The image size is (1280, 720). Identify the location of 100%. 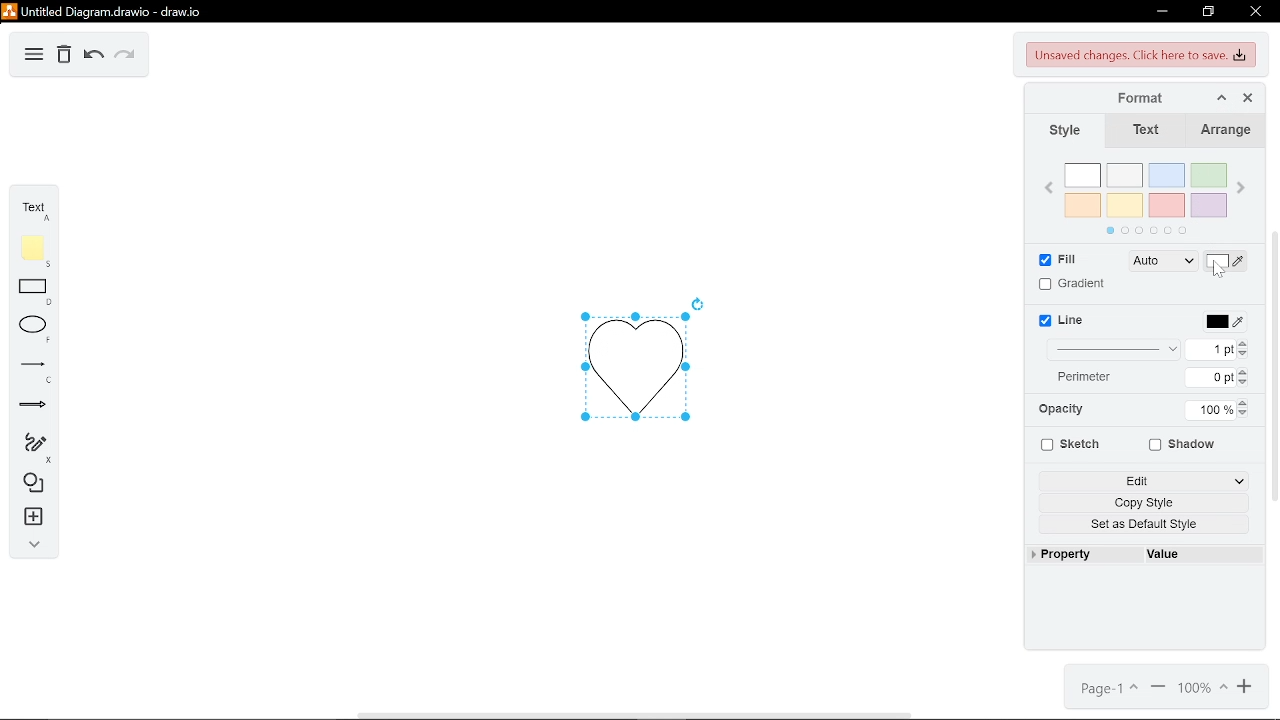
(1205, 688).